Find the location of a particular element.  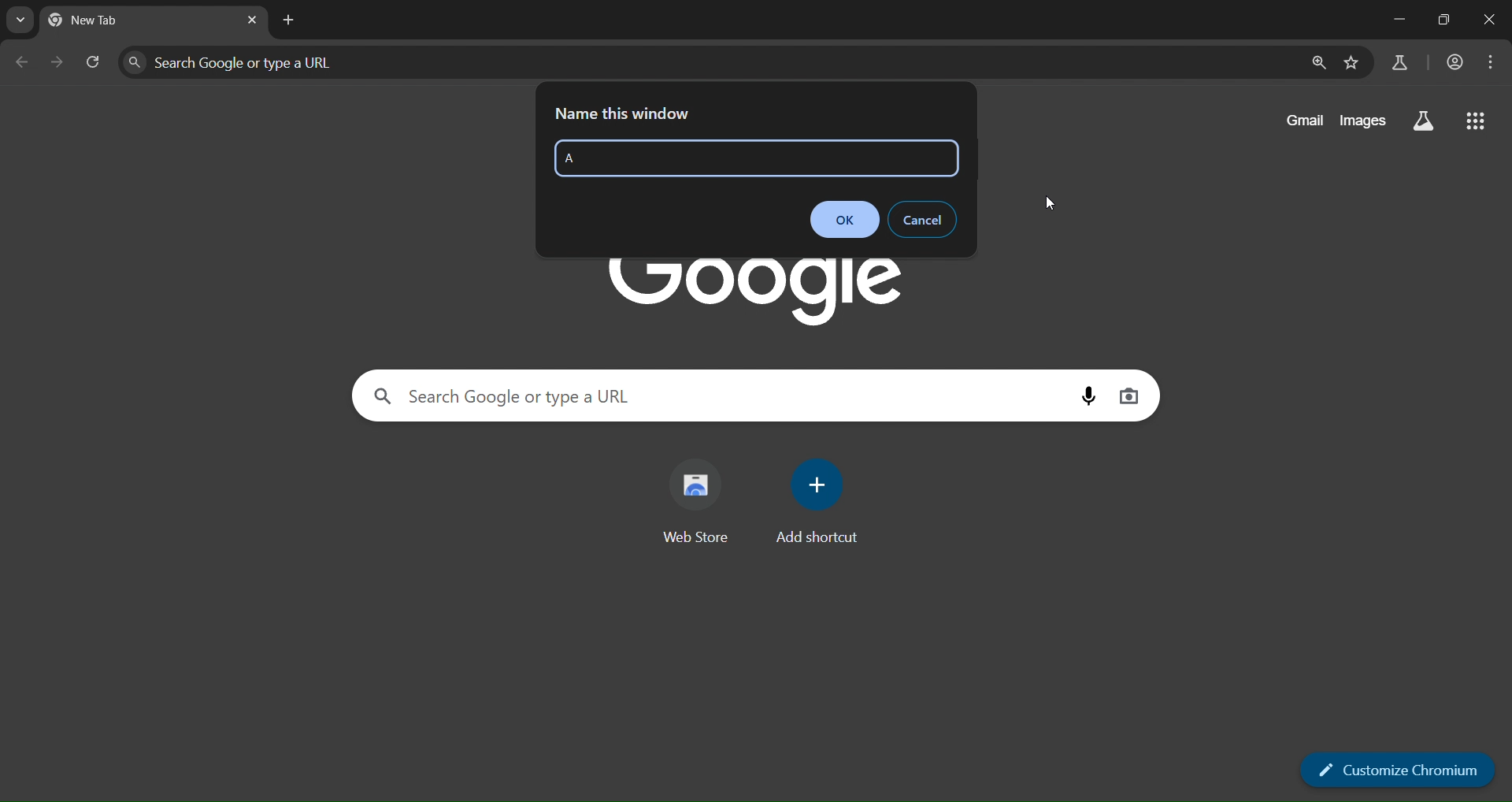

go forward one page is located at coordinates (56, 62).